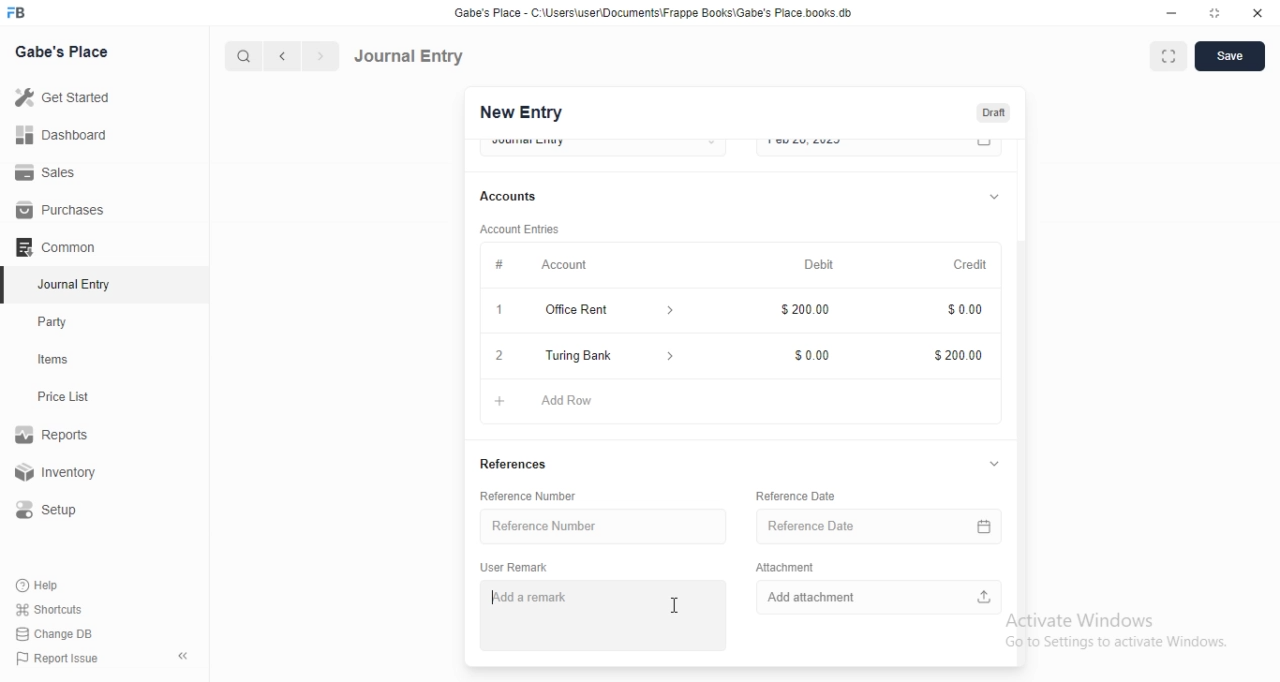 The width and height of the screenshot is (1280, 682). I want to click on Reports., so click(55, 438).